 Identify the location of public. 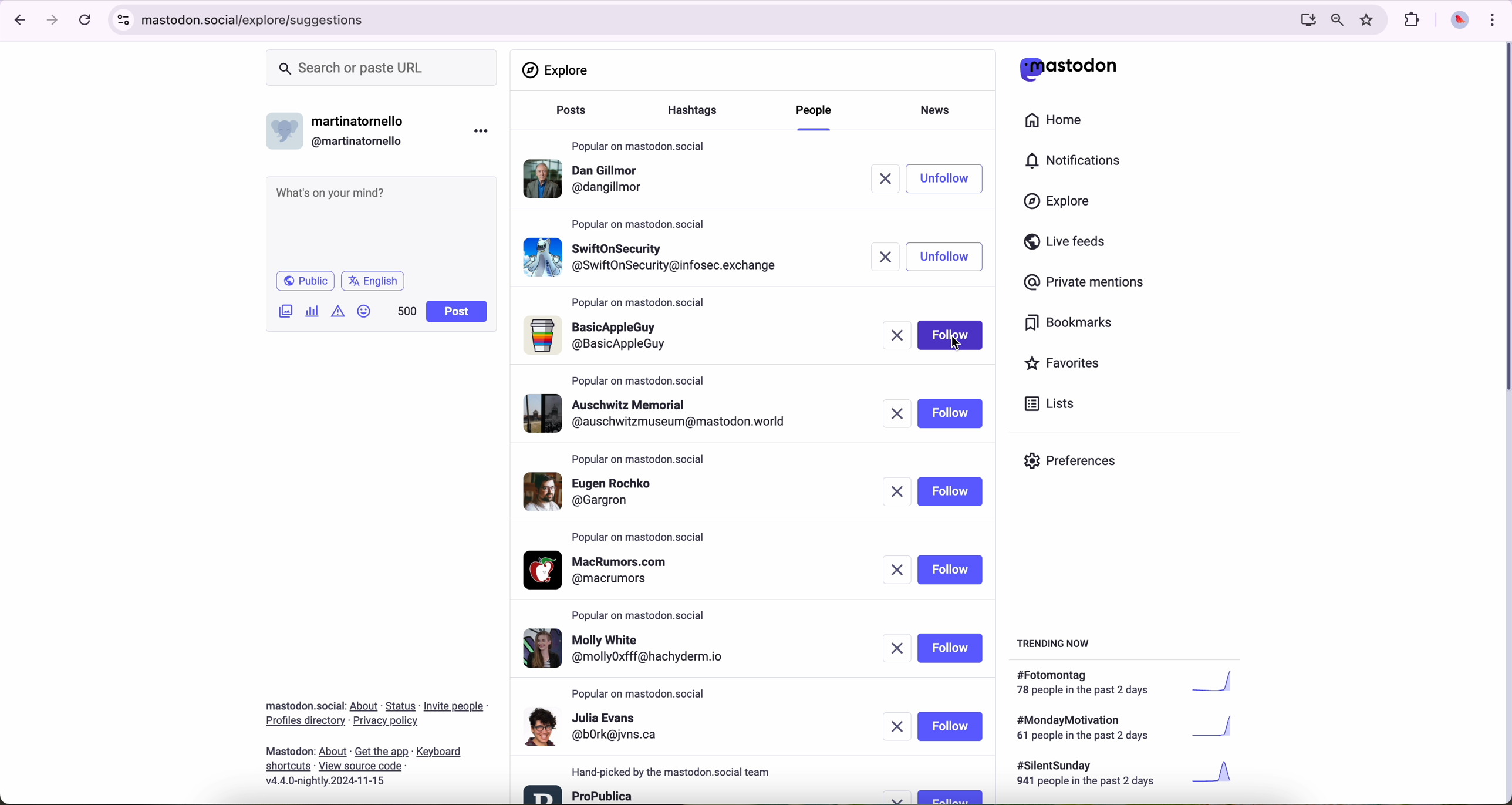
(304, 281).